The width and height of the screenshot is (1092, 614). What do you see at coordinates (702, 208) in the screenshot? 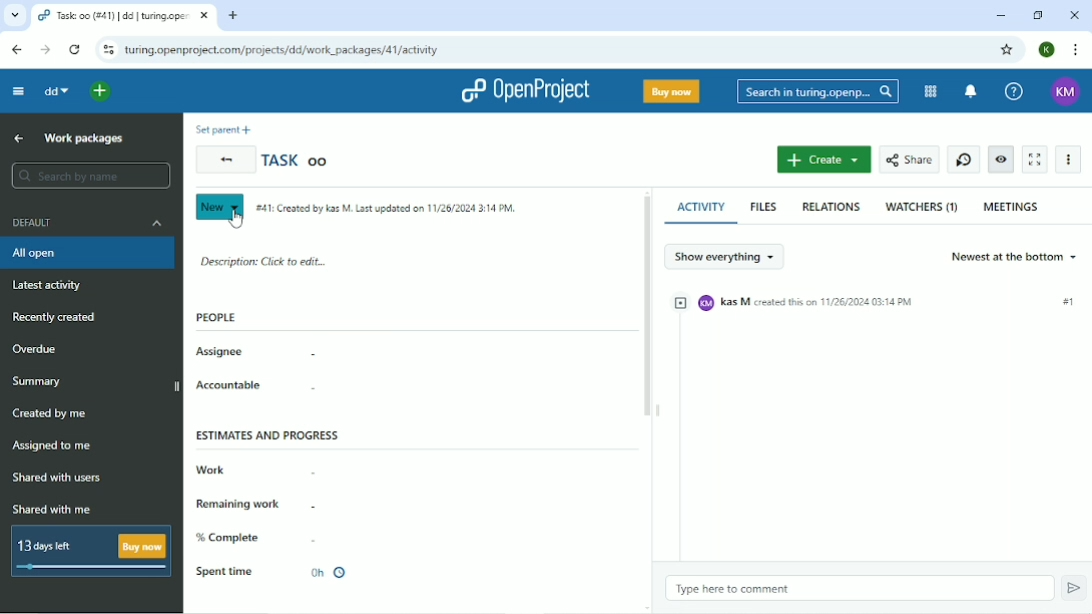
I see `ACTIVITY` at bounding box center [702, 208].